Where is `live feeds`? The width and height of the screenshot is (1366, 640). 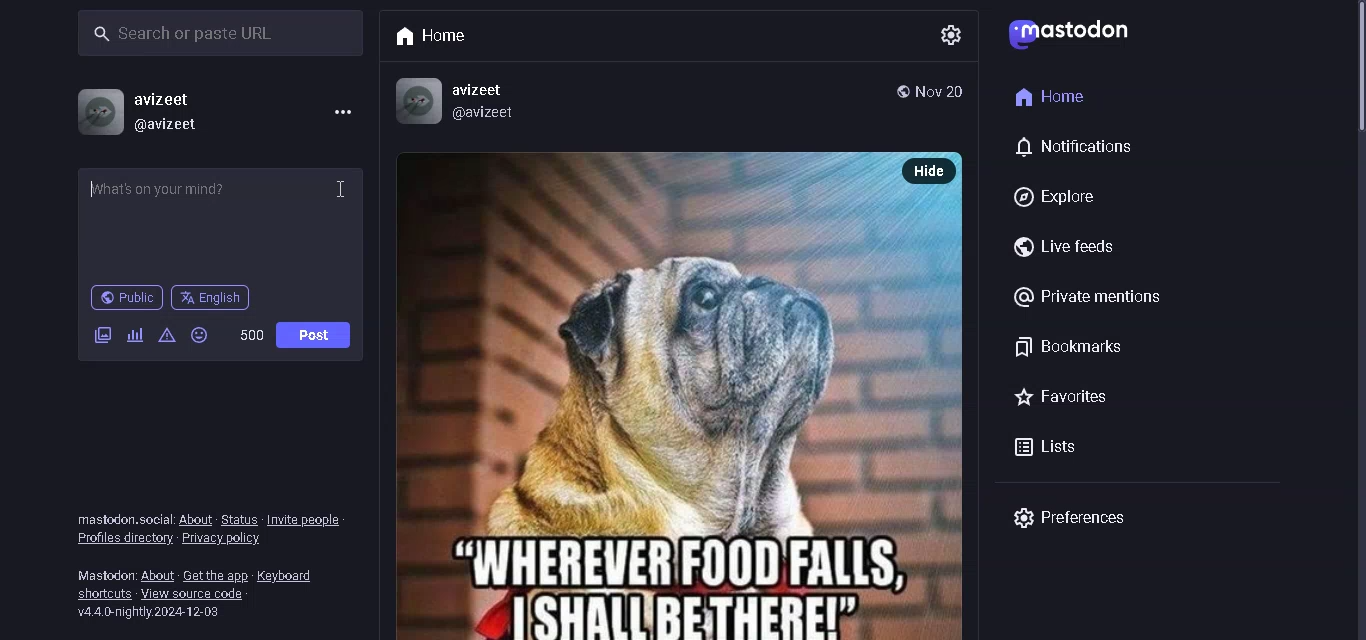 live feeds is located at coordinates (1066, 245).